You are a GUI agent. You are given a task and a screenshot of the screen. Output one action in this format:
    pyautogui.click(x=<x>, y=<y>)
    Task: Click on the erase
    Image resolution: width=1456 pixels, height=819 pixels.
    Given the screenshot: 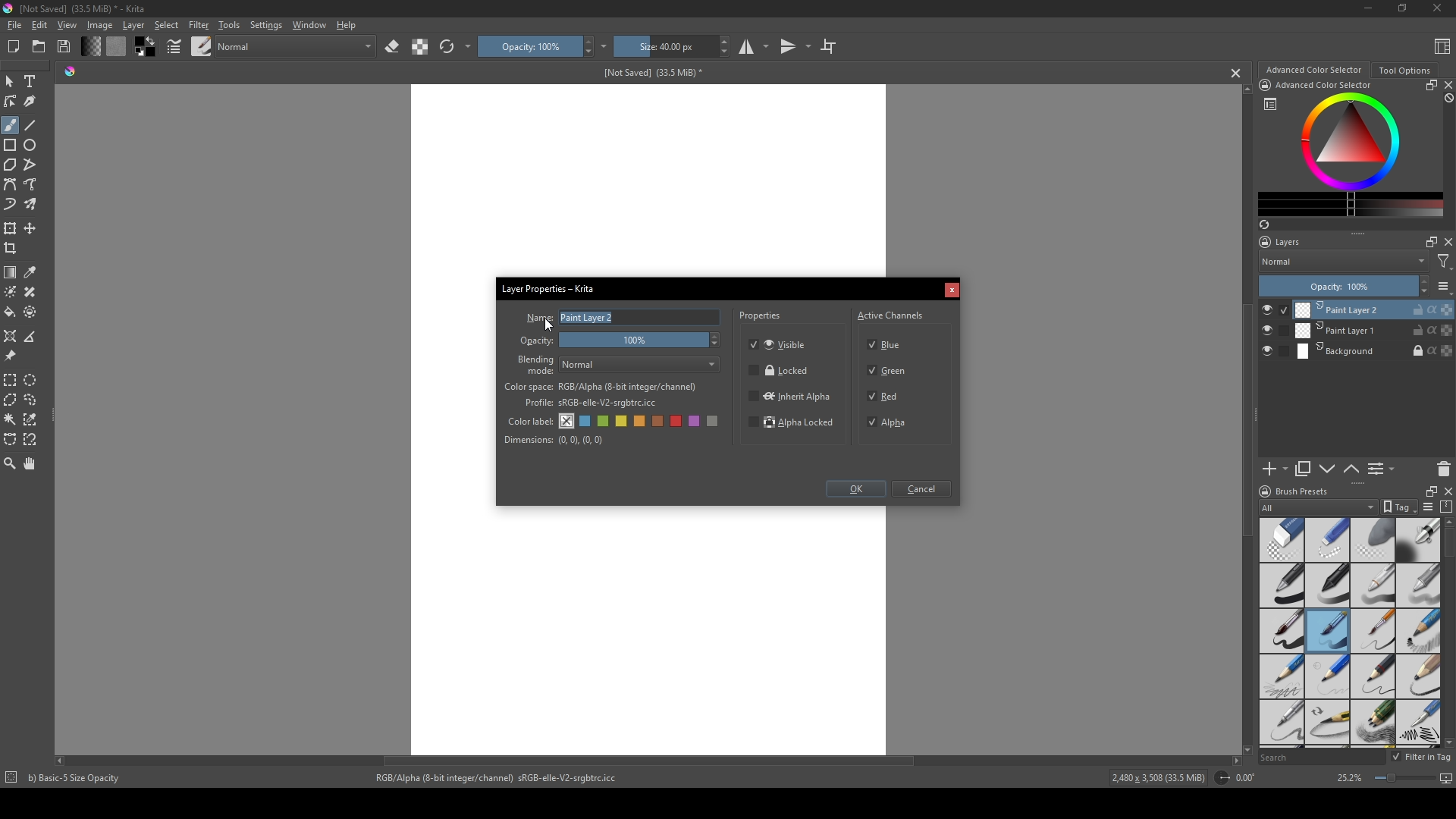 What is the action you would take?
    pyautogui.click(x=393, y=47)
    